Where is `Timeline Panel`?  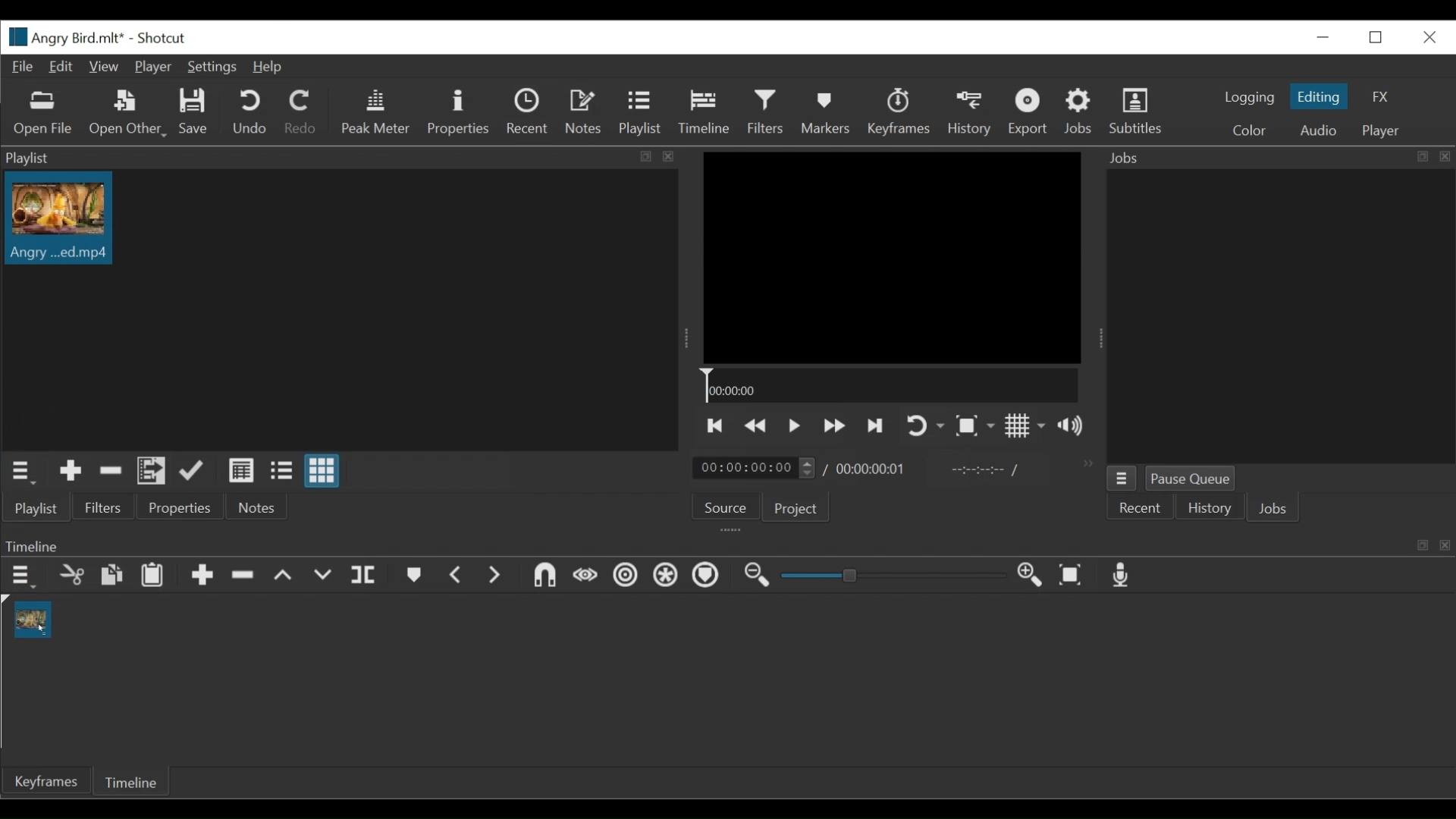 Timeline Panel is located at coordinates (724, 544).